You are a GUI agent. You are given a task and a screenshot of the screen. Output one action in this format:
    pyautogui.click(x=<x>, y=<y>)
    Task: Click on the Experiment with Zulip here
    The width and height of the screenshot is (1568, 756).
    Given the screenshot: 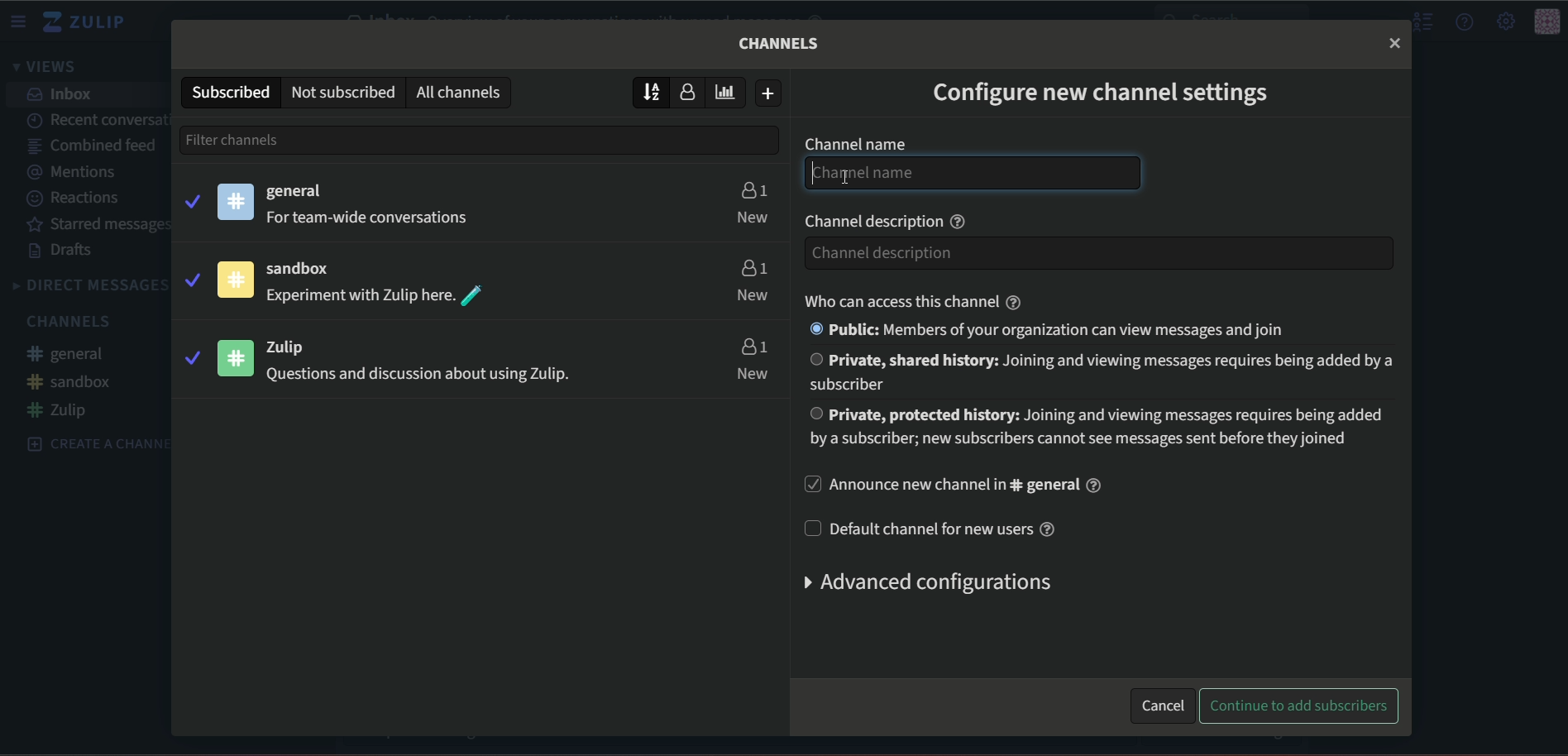 What is the action you would take?
    pyautogui.click(x=381, y=296)
    